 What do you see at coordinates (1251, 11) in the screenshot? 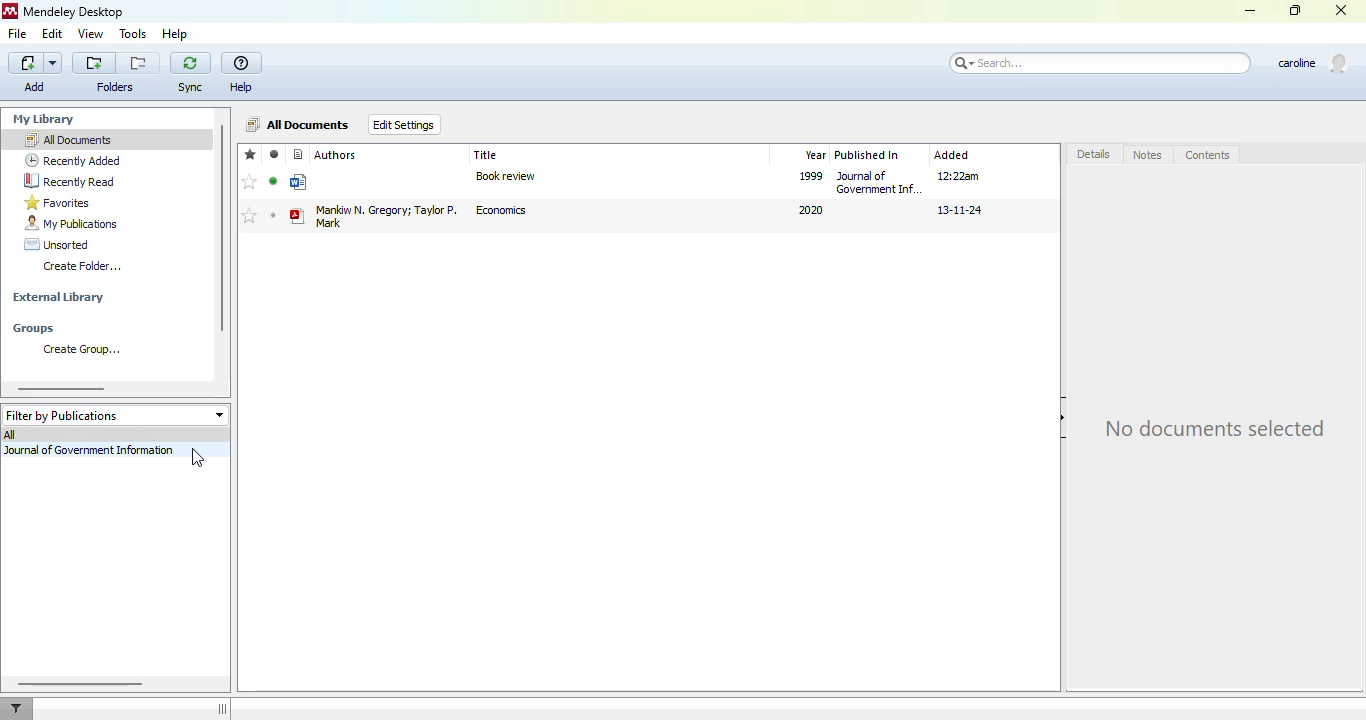
I see `minimize` at bounding box center [1251, 11].